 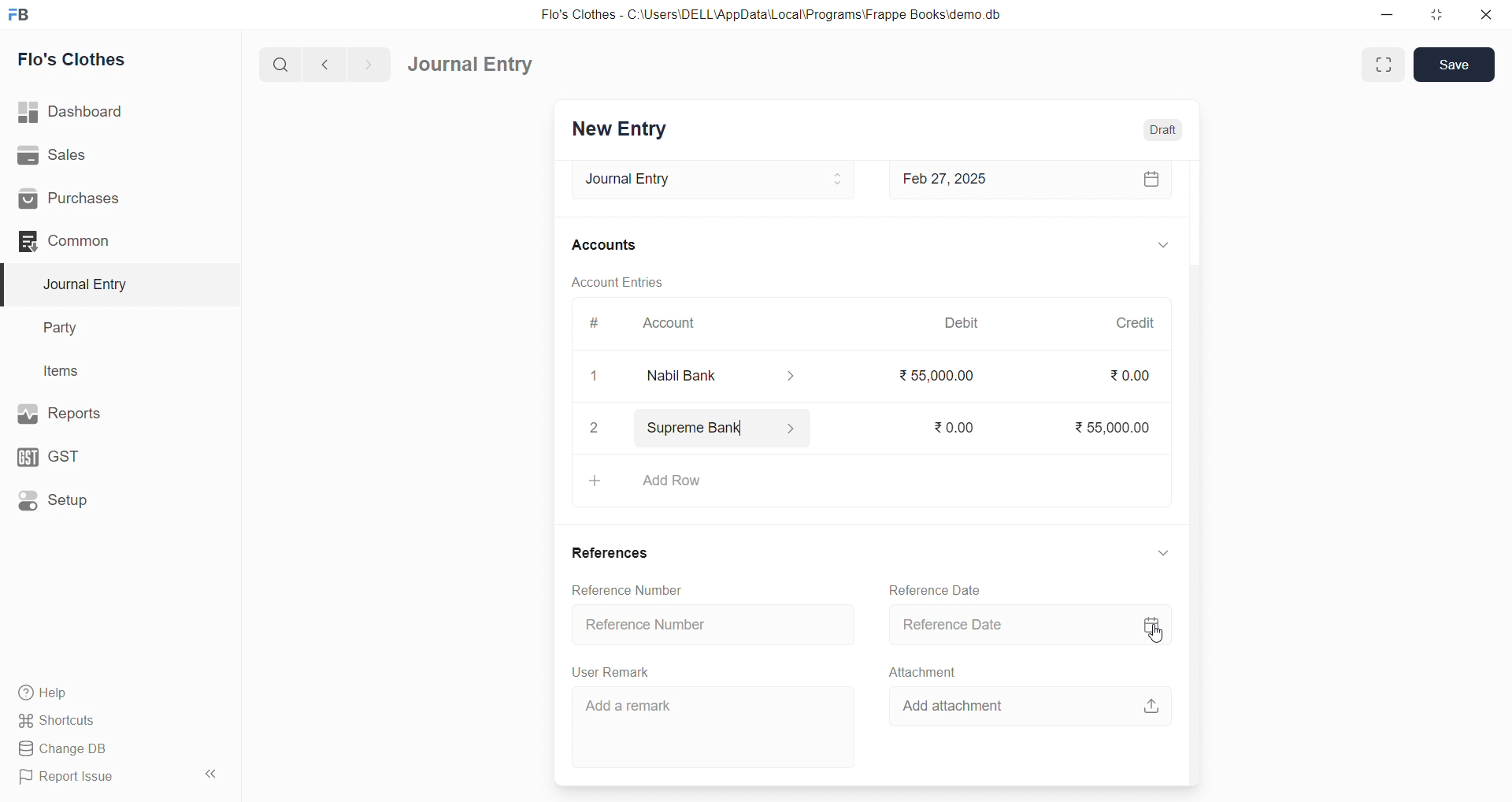 What do you see at coordinates (80, 59) in the screenshot?
I see `Flo's Clothes` at bounding box center [80, 59].